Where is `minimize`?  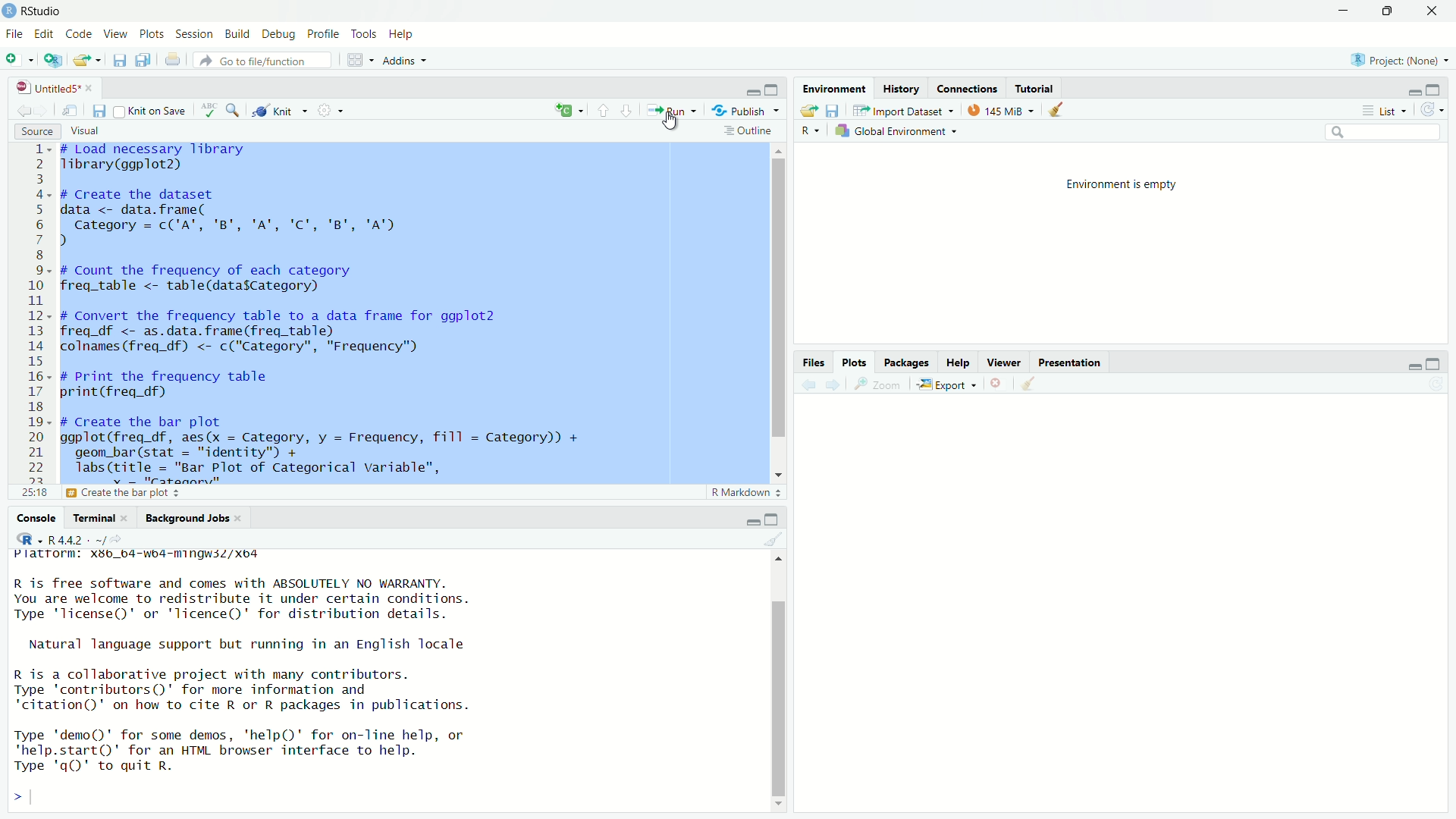 minimize is located at coordinates (752, 522).